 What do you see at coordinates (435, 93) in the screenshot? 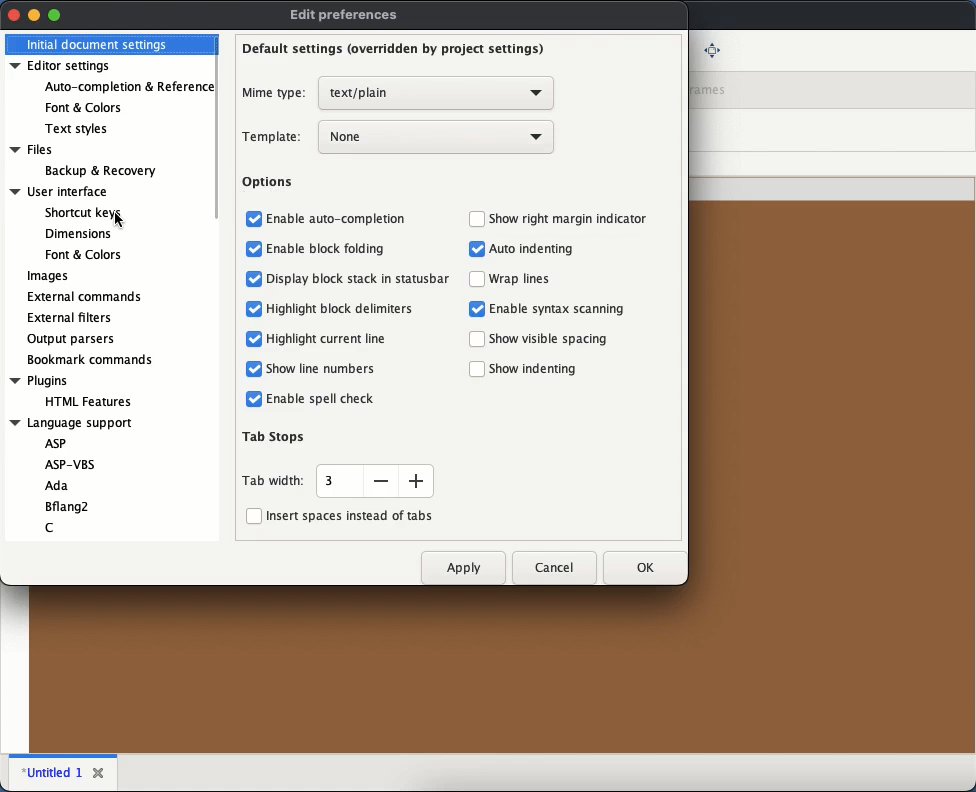
I see `text plain` at bounding box center [435, 93].